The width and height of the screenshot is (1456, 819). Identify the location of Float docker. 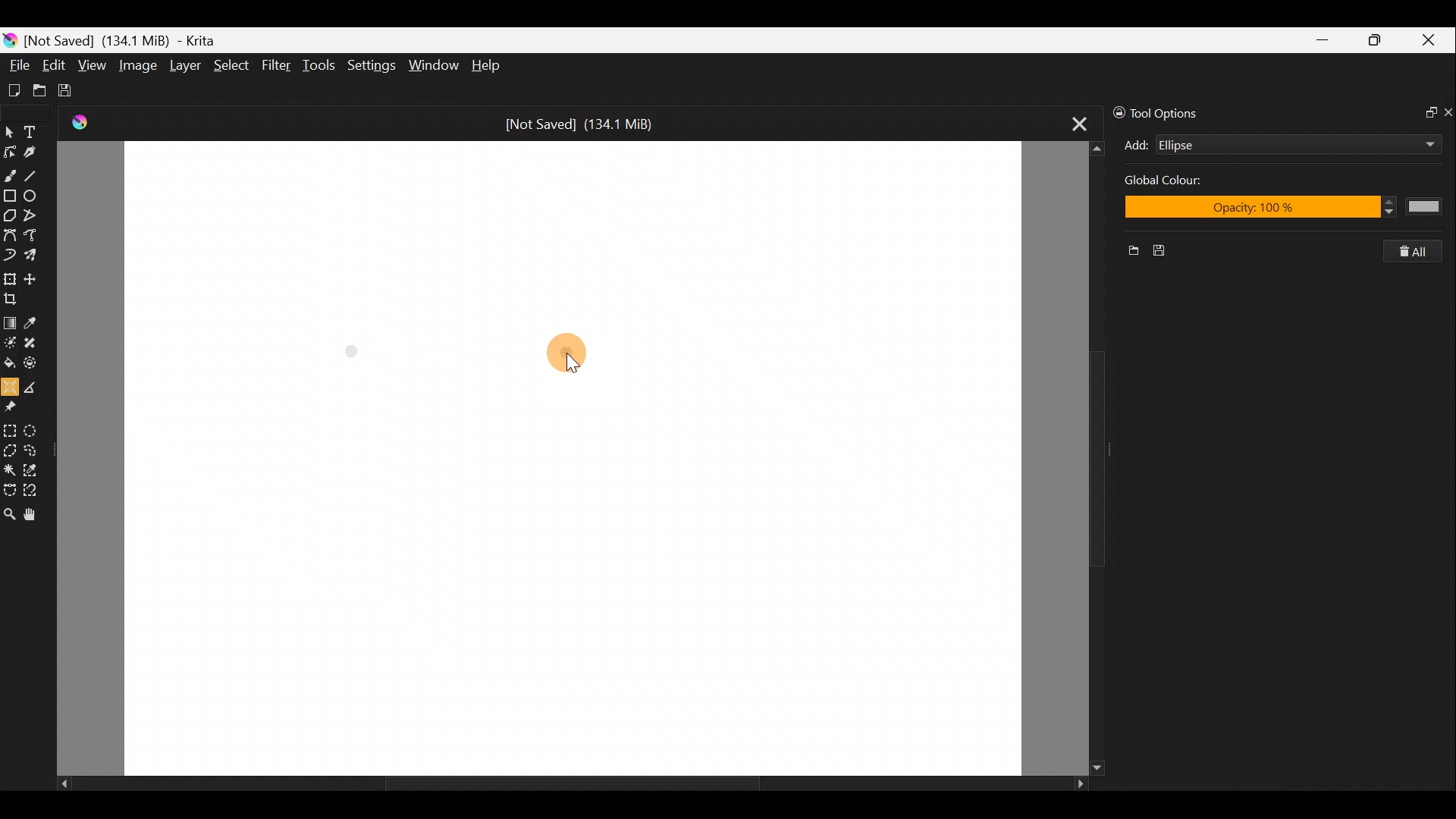
(1424, 114).